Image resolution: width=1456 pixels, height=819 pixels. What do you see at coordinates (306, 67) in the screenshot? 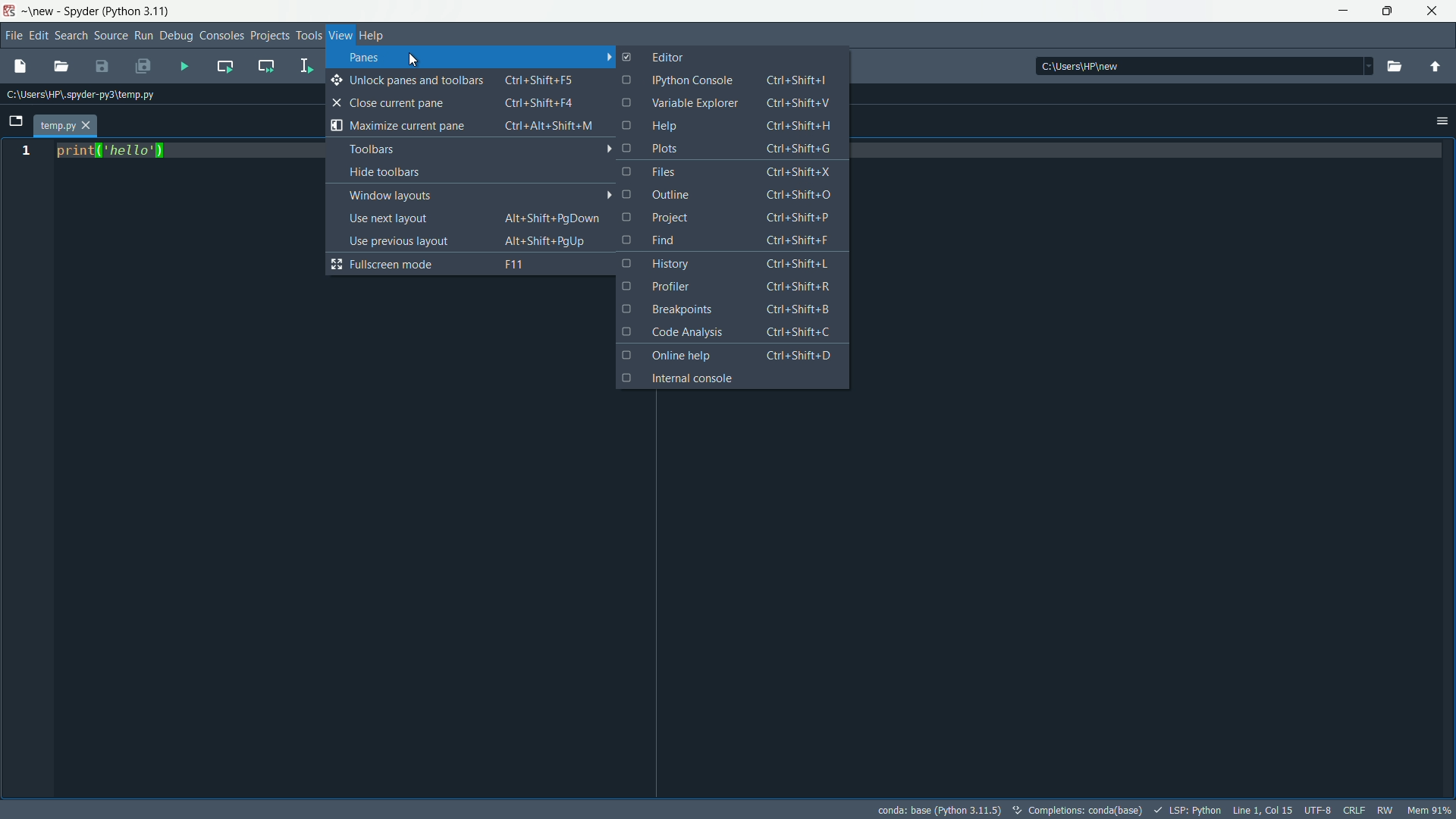
I see `run selection` at bounding box center [306, 67].